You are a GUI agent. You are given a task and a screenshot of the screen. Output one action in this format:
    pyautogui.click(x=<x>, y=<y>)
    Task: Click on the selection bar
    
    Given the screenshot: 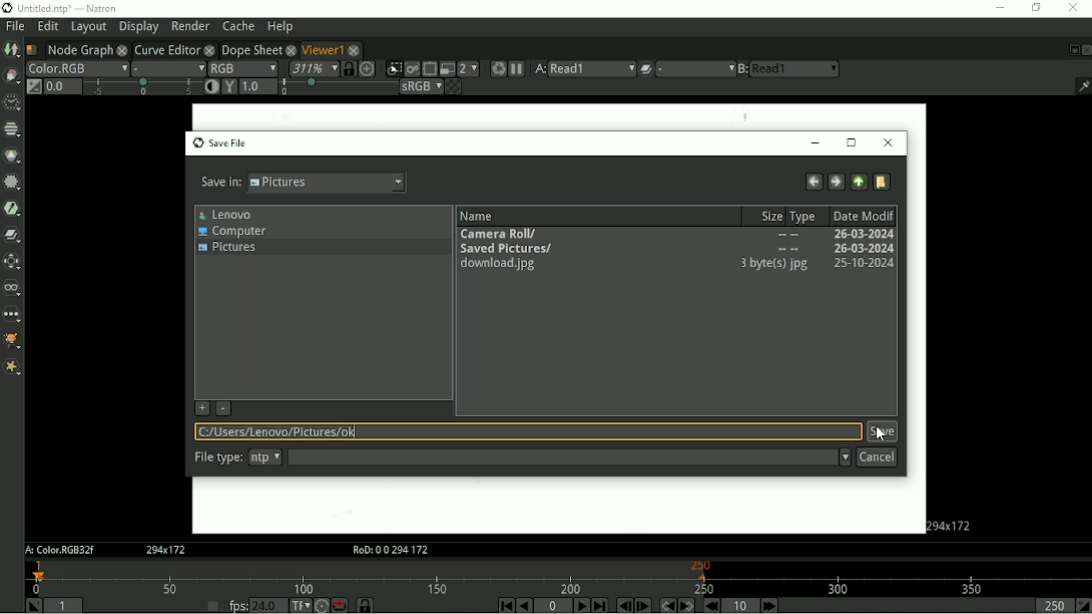 What is the action you would take?
    pyautogui.click(x=142, y=87)
    